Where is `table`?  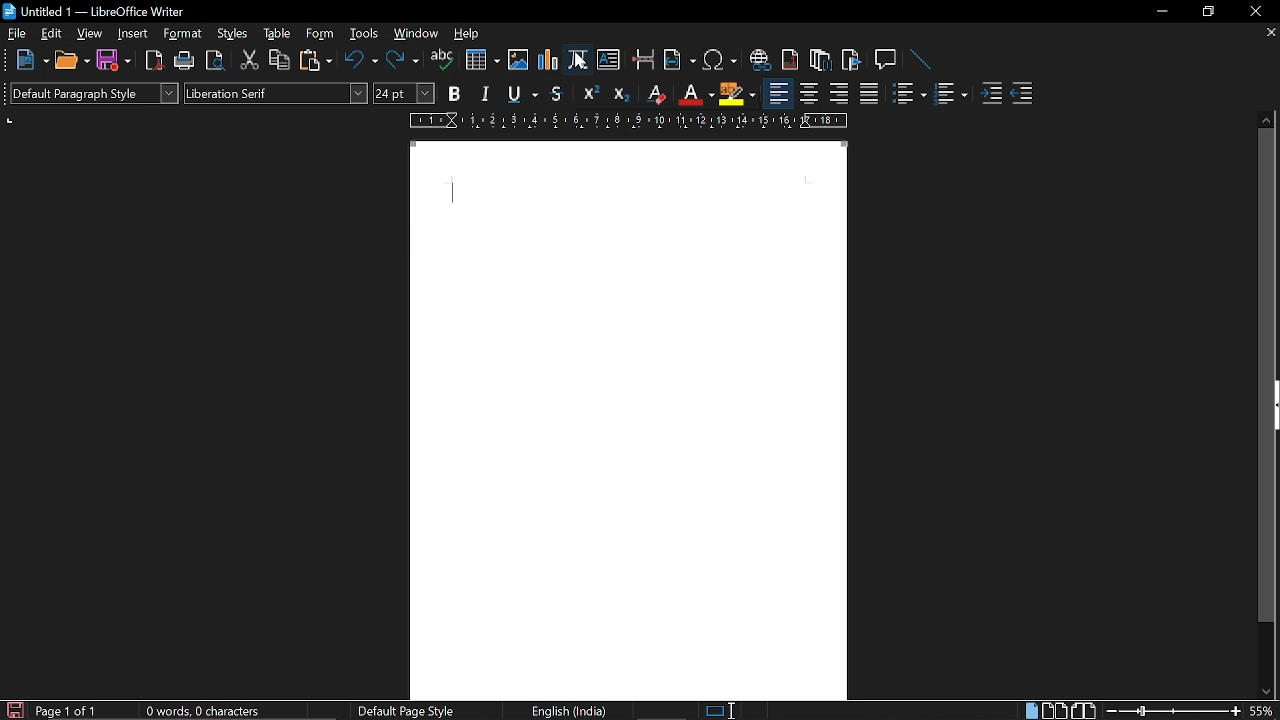 table is located at coordinates (275, 34).